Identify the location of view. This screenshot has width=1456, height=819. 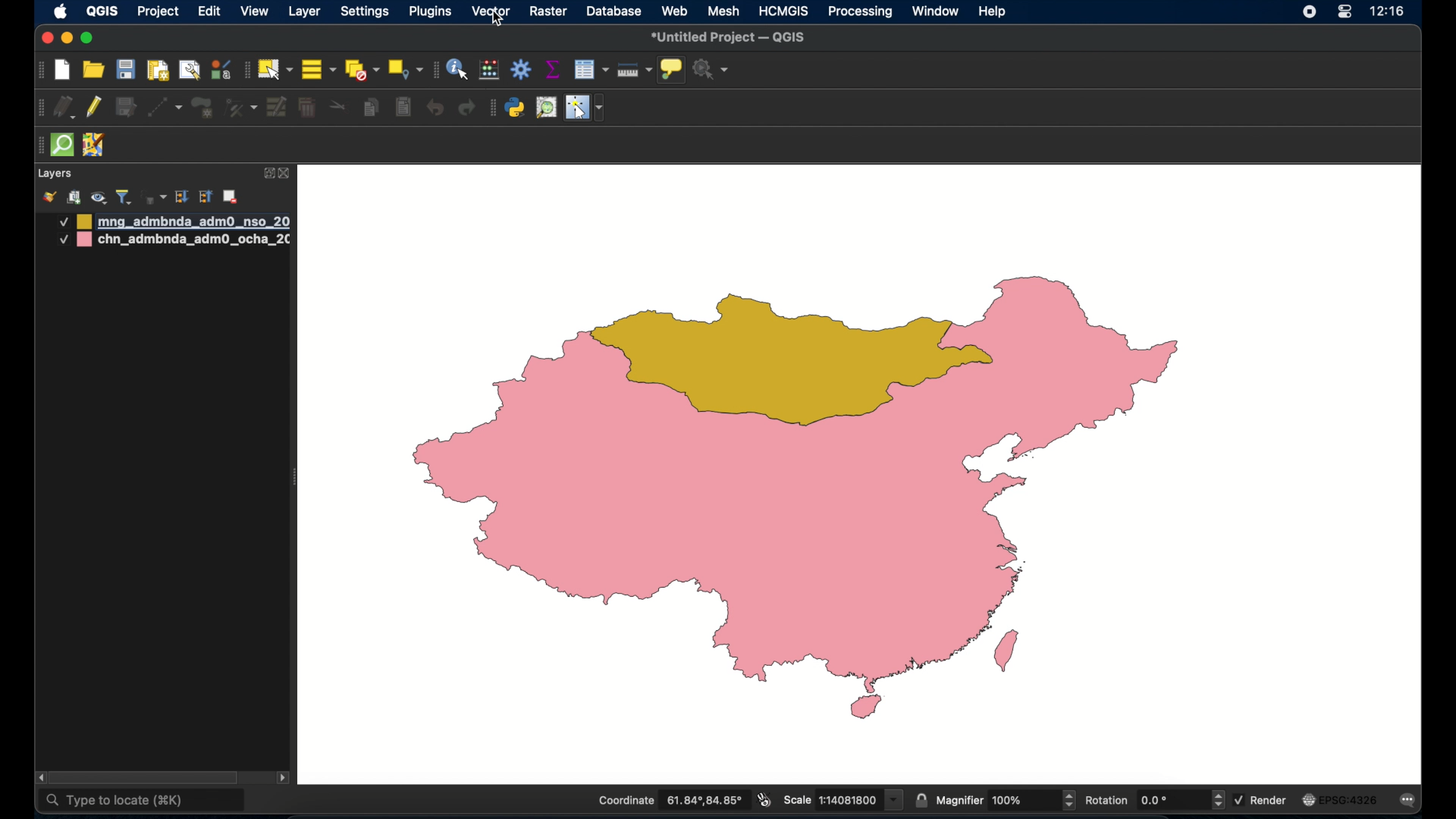
(255, 13).